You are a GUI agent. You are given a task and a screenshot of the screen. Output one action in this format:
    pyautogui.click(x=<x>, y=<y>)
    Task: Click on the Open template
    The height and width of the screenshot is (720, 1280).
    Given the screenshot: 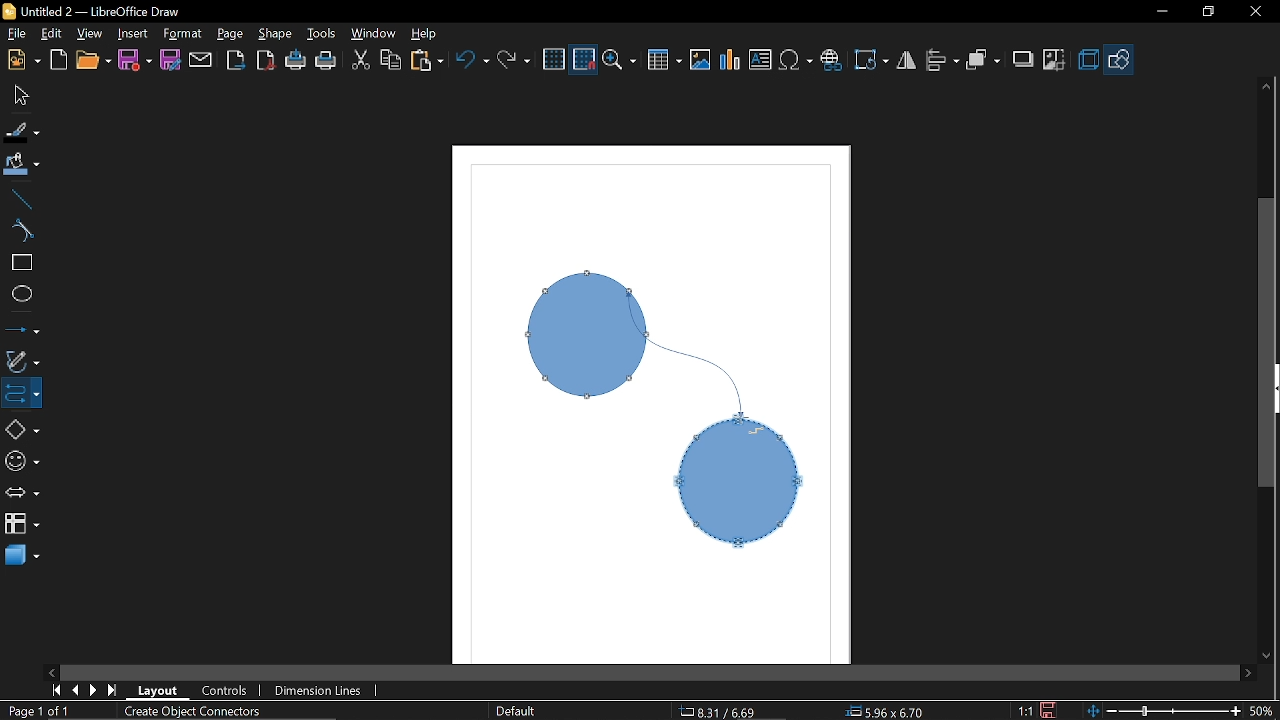 What is the action you would take?
    pyautogui.click(x=58, y=60)
    